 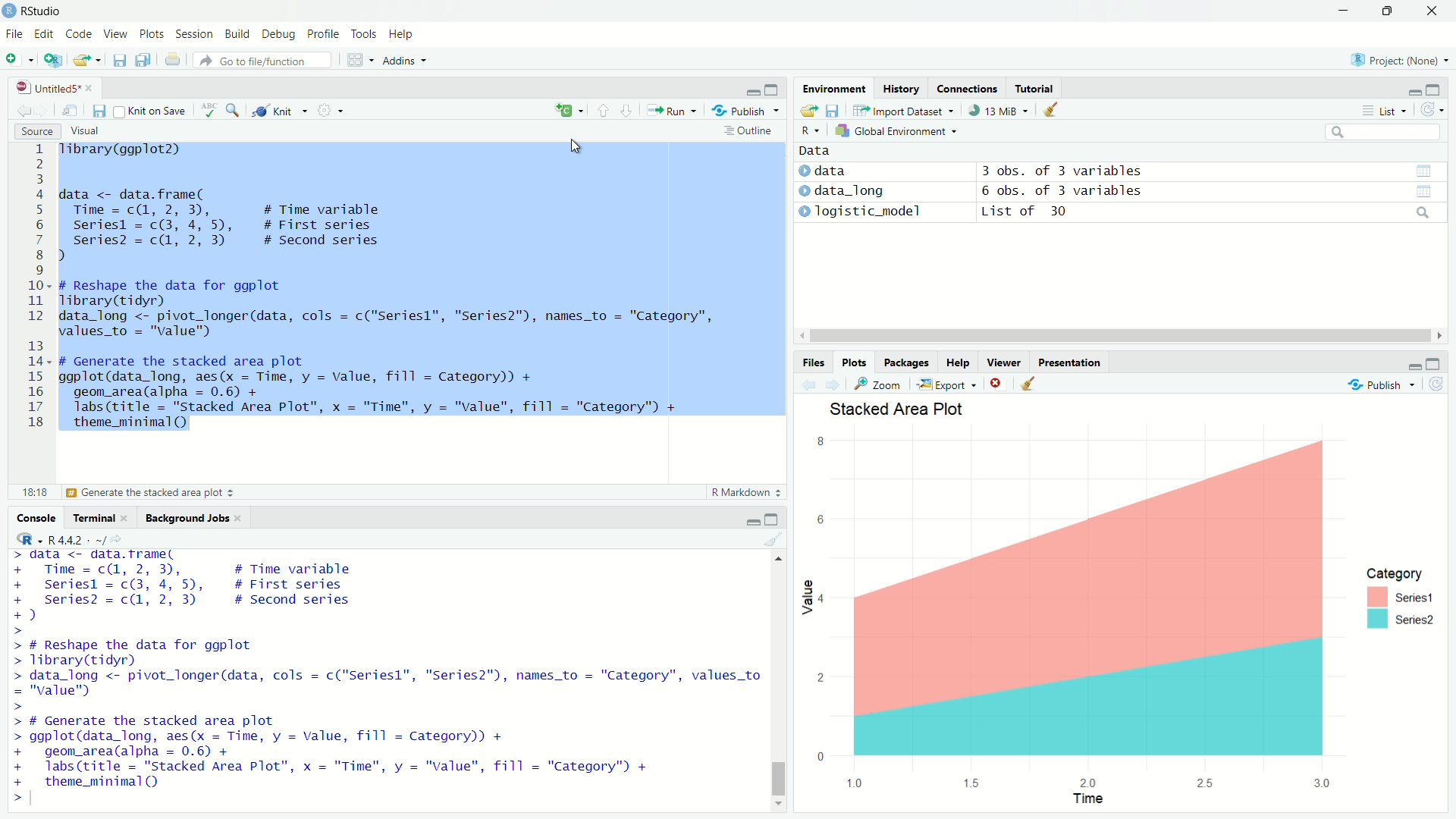 What do you see at coordinates (413, 290) in the screenshot?
I see `Tibrary(ggplot2)
data <- data.frame(
Time = c(1, 2, 3), # Time variable
seriesl = c(3, 4, 5),  # First series| I
series? = c(1, 2, 3) # Second series
)
- # Reshape the data for ggplot
Tibrary(tidyr)
data_long <- pivot_longer(data, cols = c("Seriesl", "Series2"), names_to = "Category",
values_to = "value")
 # Generate the stacked area plot
ggplot(data_long, aes(x = Time, y = Value, fill = Category)) +
geom_area(alpha = 0.6) +
labs (title = "Stacked Area Plot", x = "Time", y = "value", fill = "Category") +
theme_minimal()` at bounding box center [413, 290].